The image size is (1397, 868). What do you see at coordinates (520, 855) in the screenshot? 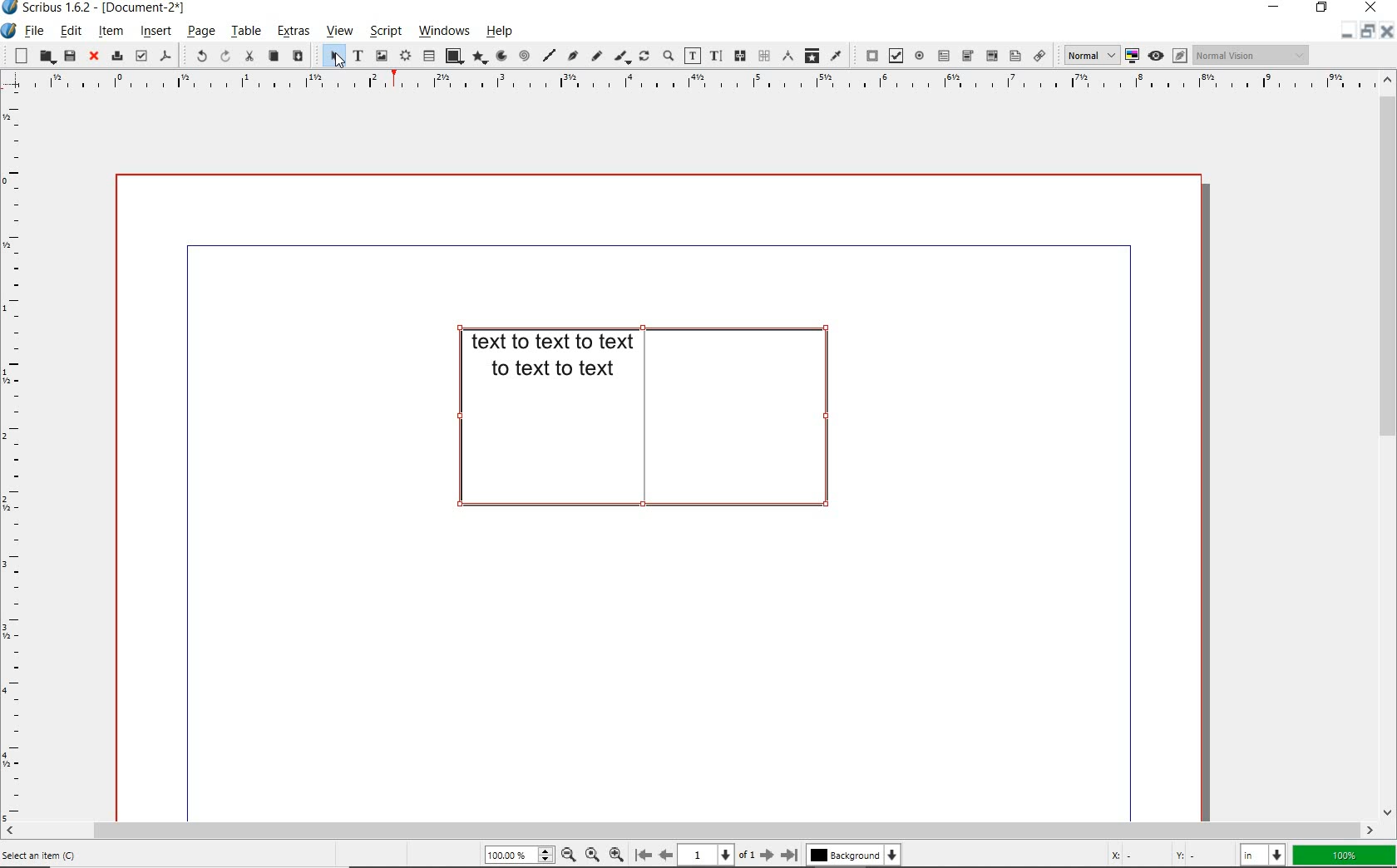
I see `zoom level` at bounding box center [520, 855].